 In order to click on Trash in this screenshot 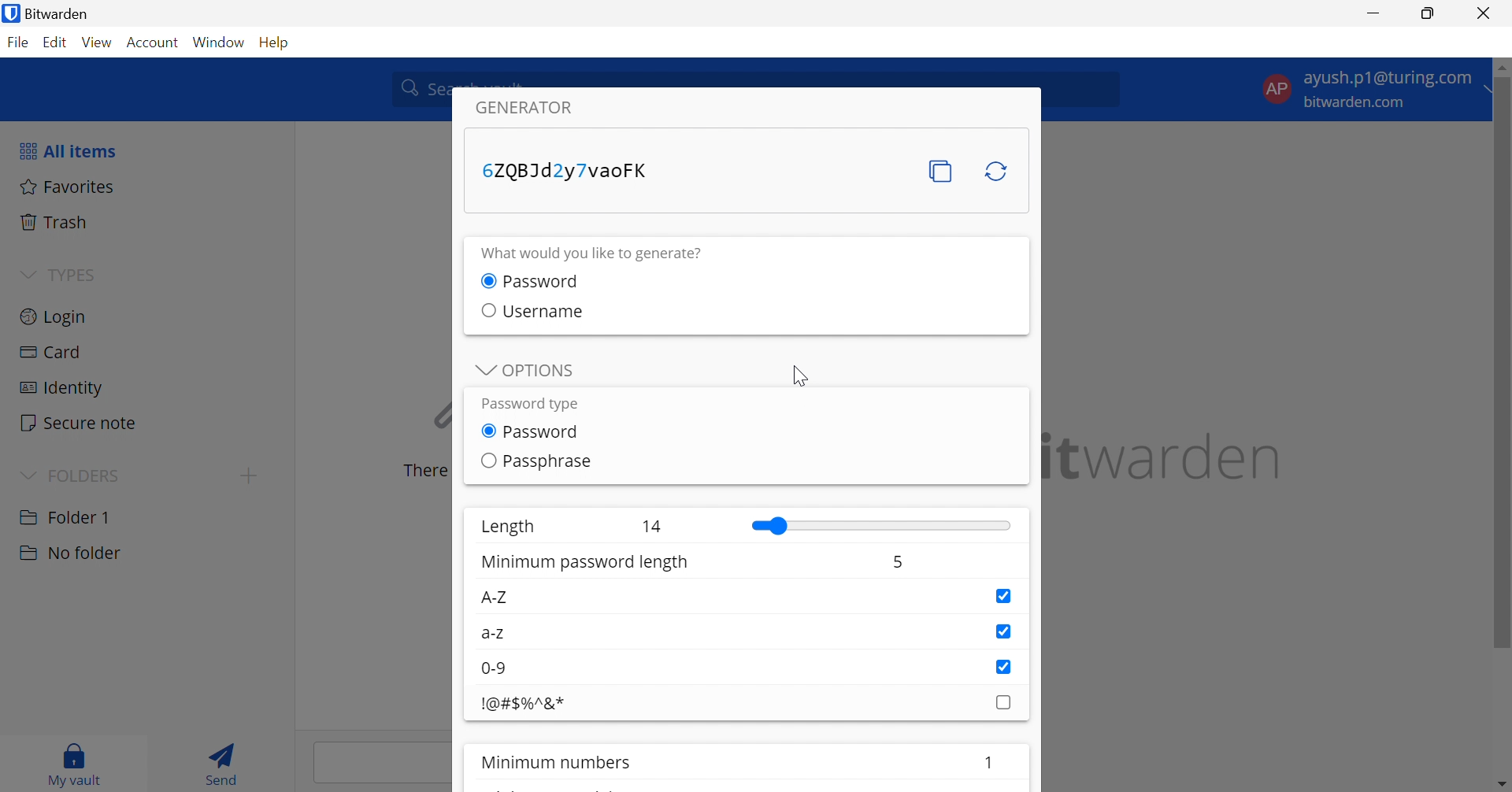, I will do `click(58, 222)`.